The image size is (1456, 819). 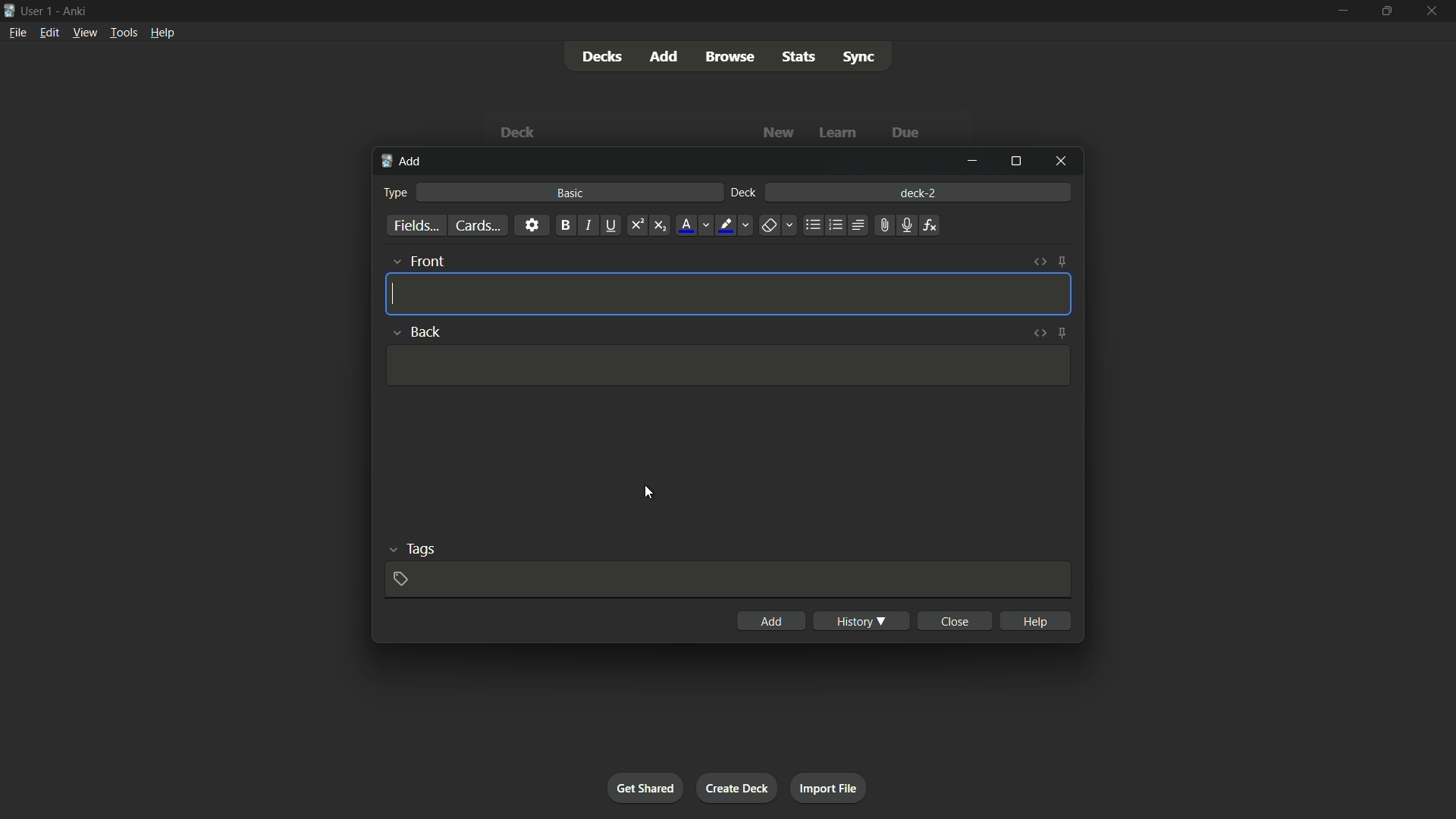 I want to click on toggle sticky, so click(x=1064, y=262).